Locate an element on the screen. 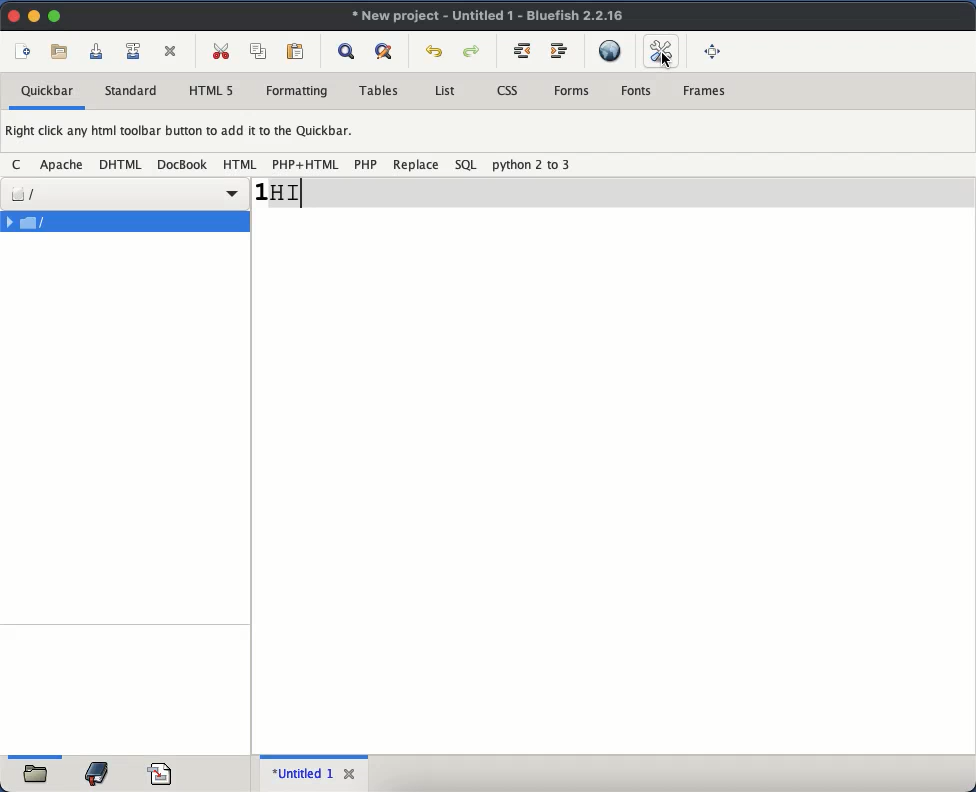 Image resolution: width=976 pixels, height=792 pixels. c is located at coordinates (19, 165).